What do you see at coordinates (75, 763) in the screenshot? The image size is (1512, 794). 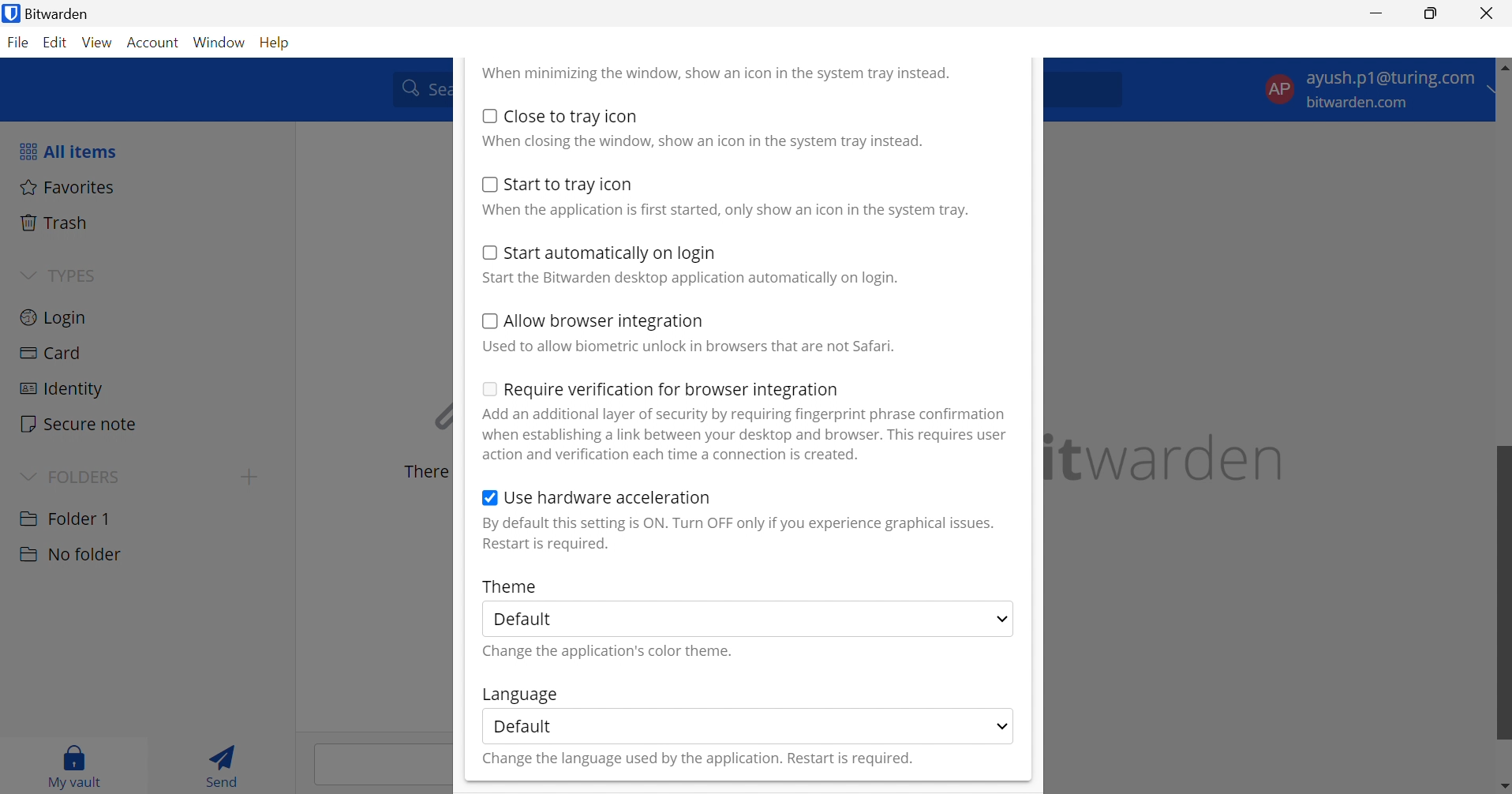 I see `My vault` at bounding box center [75, 763].